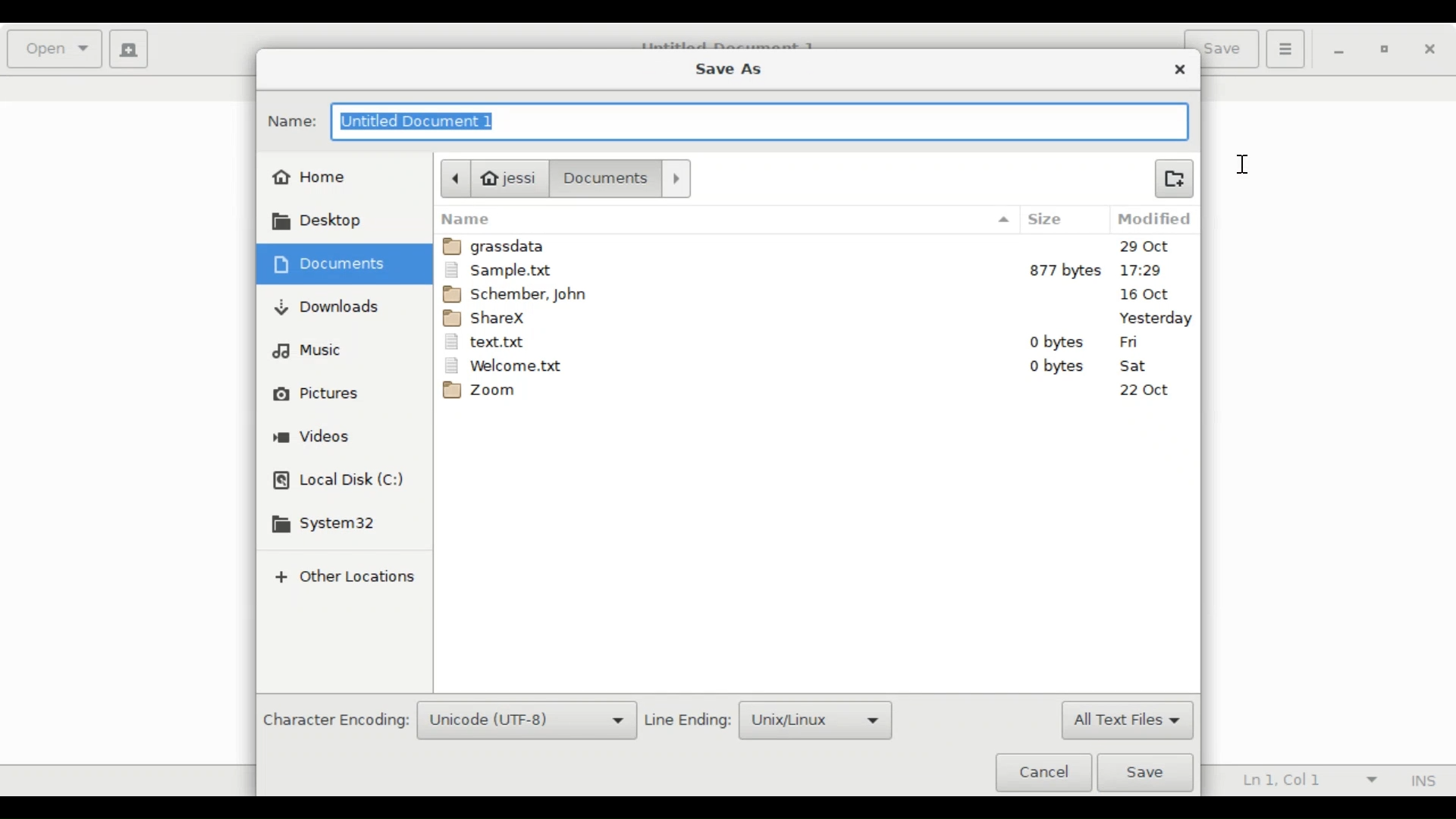 This screenshot has width=1456, height=819. What do you see at coordinates (1244, 165) in the screenshot?
I see `cursor` at bounding box center [1244, 165].